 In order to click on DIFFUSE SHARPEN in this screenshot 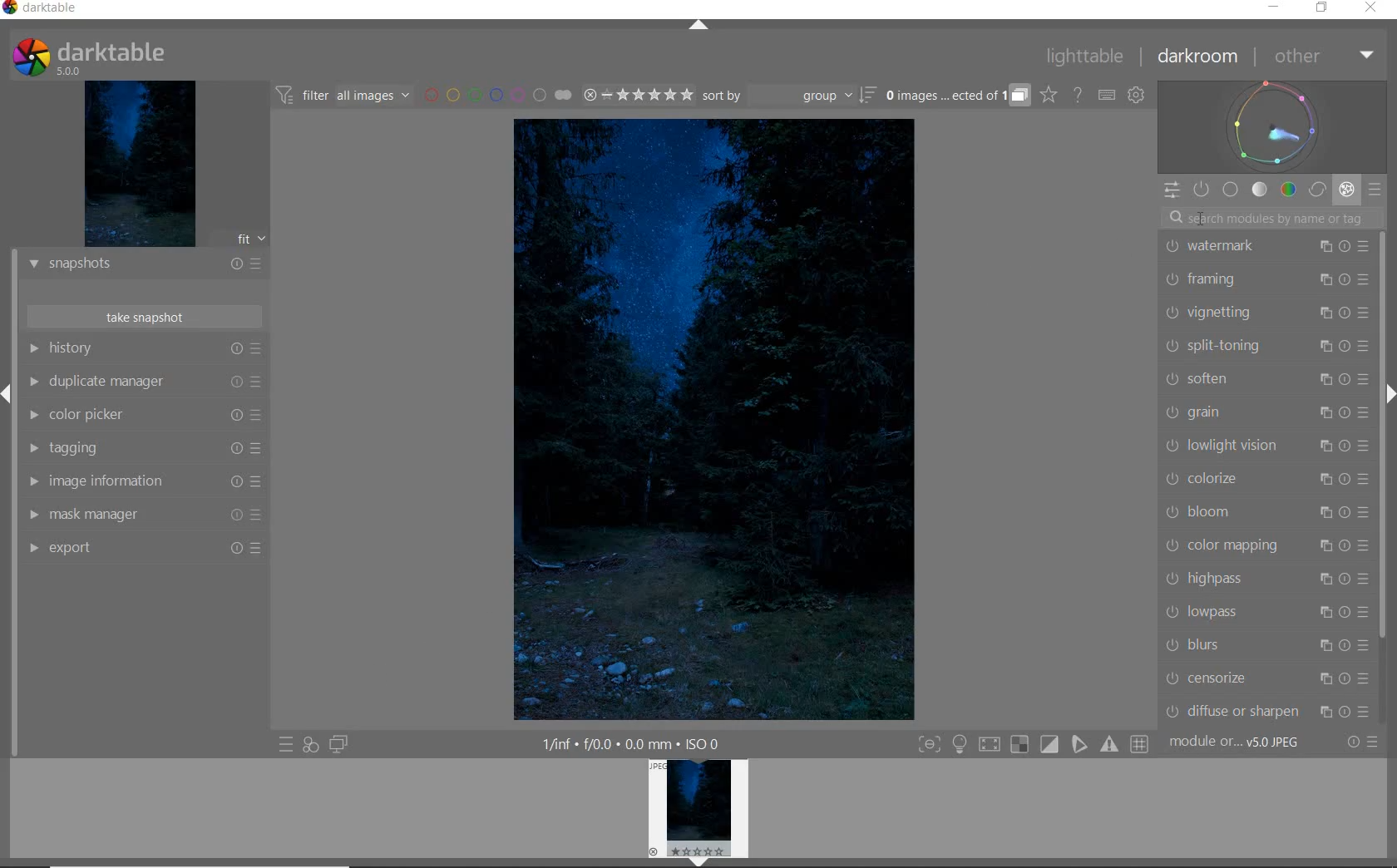, I will do `click(1270, 711)`.